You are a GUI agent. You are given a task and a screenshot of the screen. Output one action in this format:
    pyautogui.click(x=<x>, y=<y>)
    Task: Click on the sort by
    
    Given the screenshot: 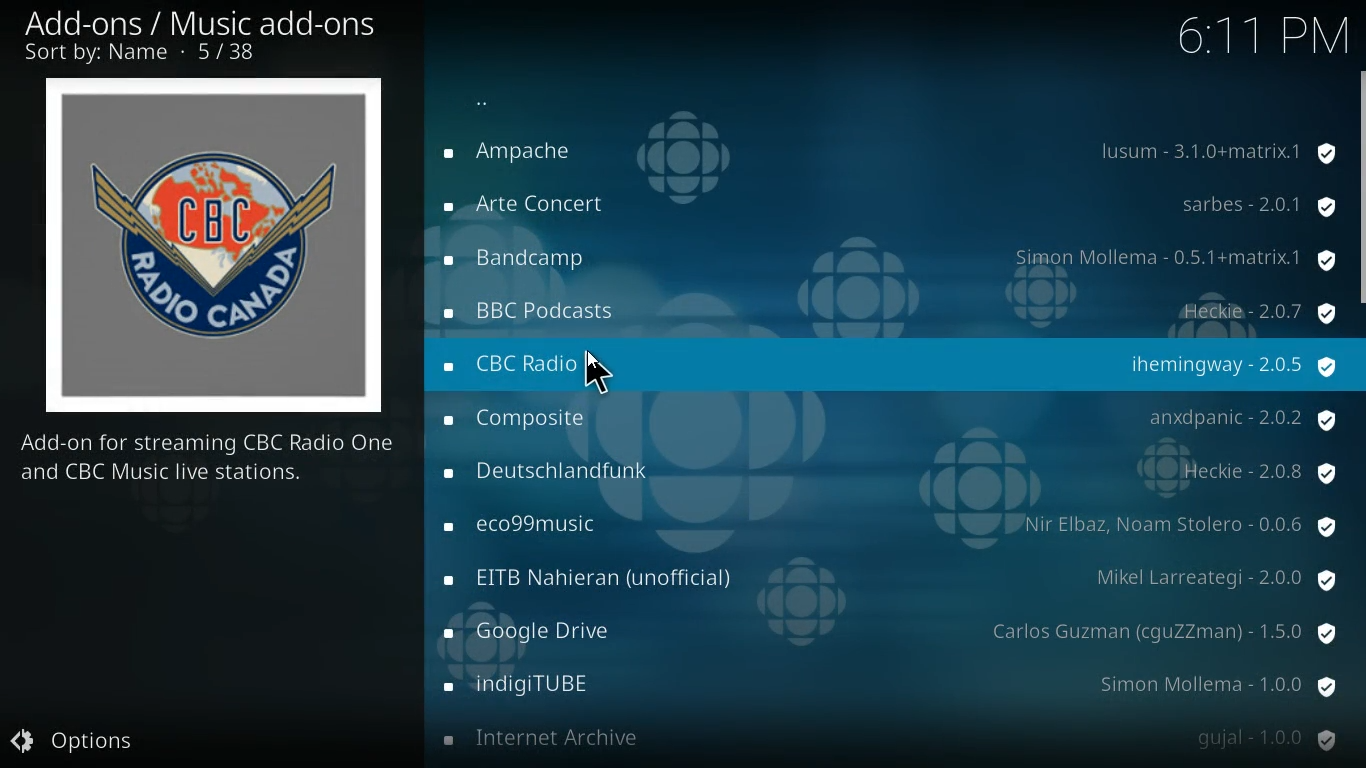 What is the action you would take?
    pyautogui.click(x=94, y=54)
    